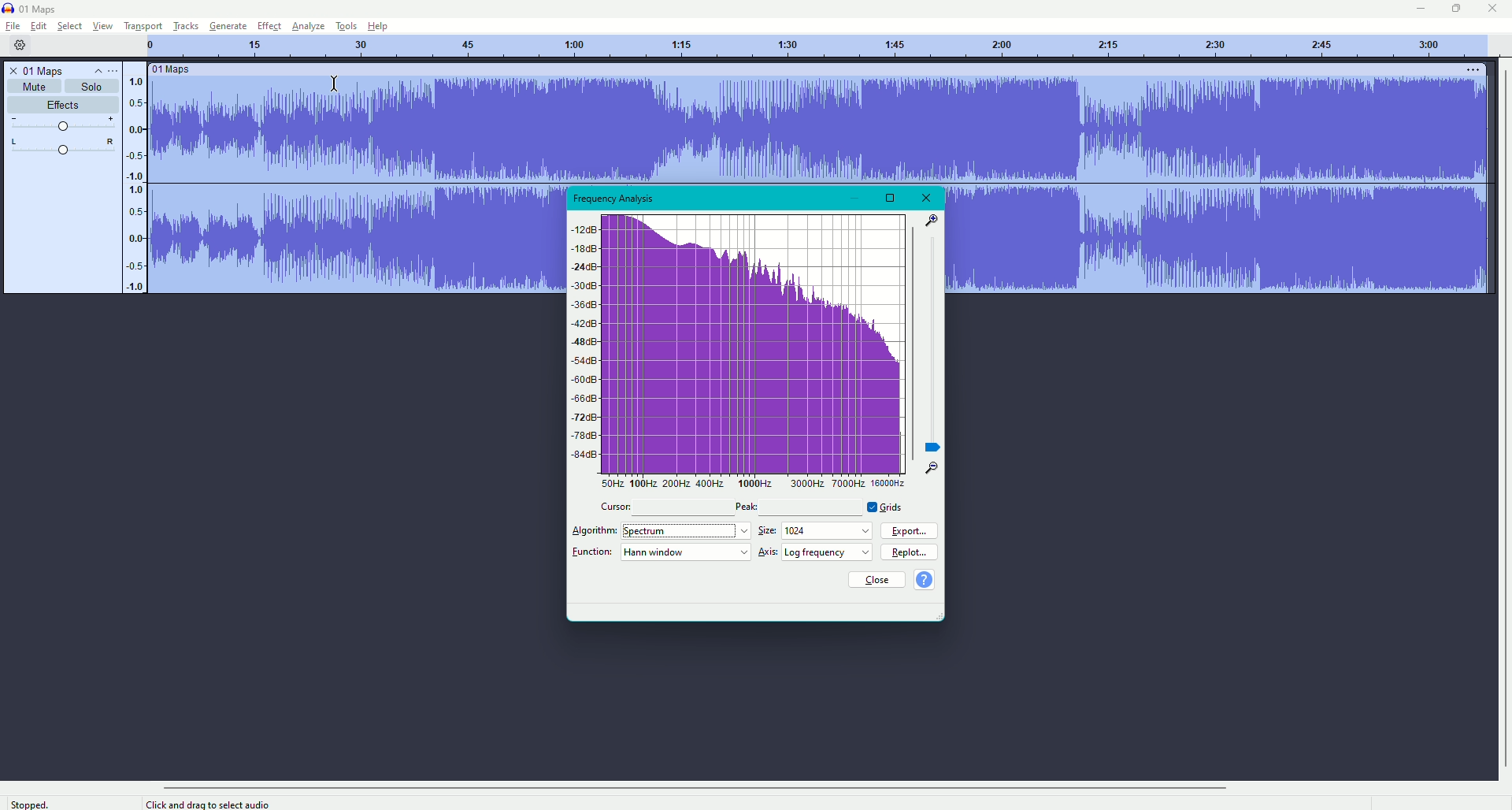  I want to click on Close, so click(1494, 9).